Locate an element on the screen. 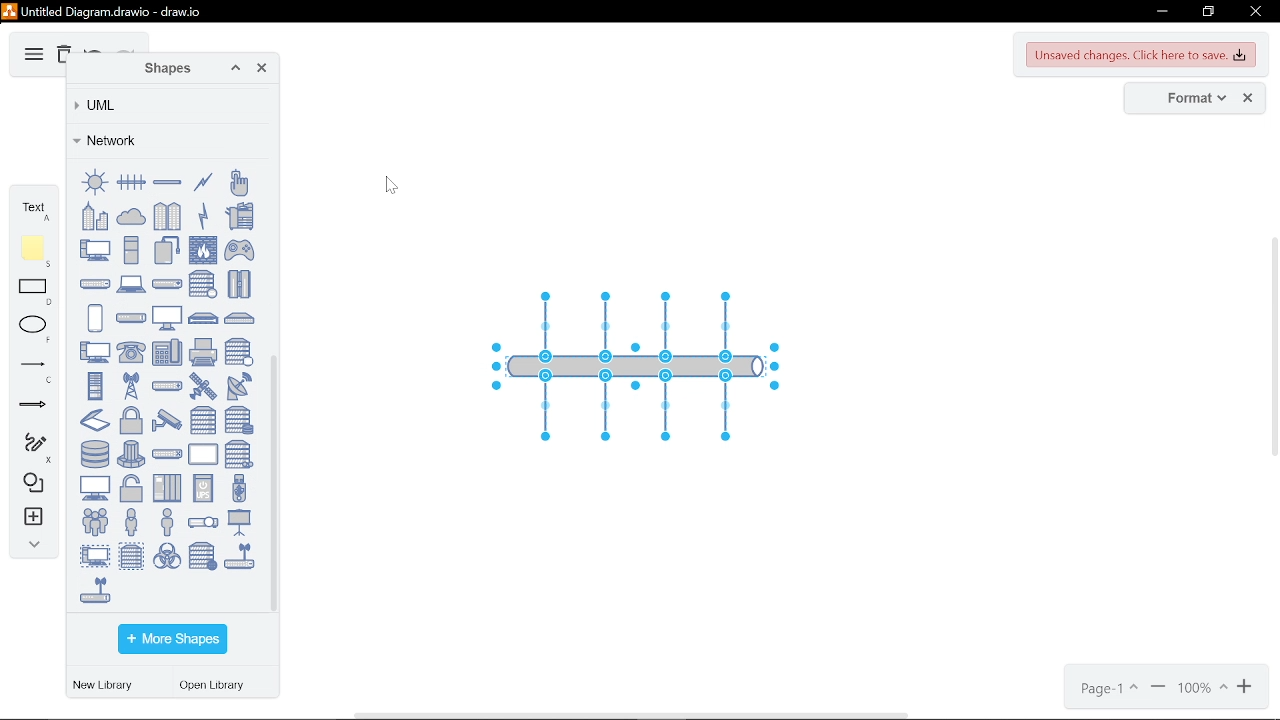 This screenshot has height=720, width=1280. USB stick is located at coordinates (239, 488).